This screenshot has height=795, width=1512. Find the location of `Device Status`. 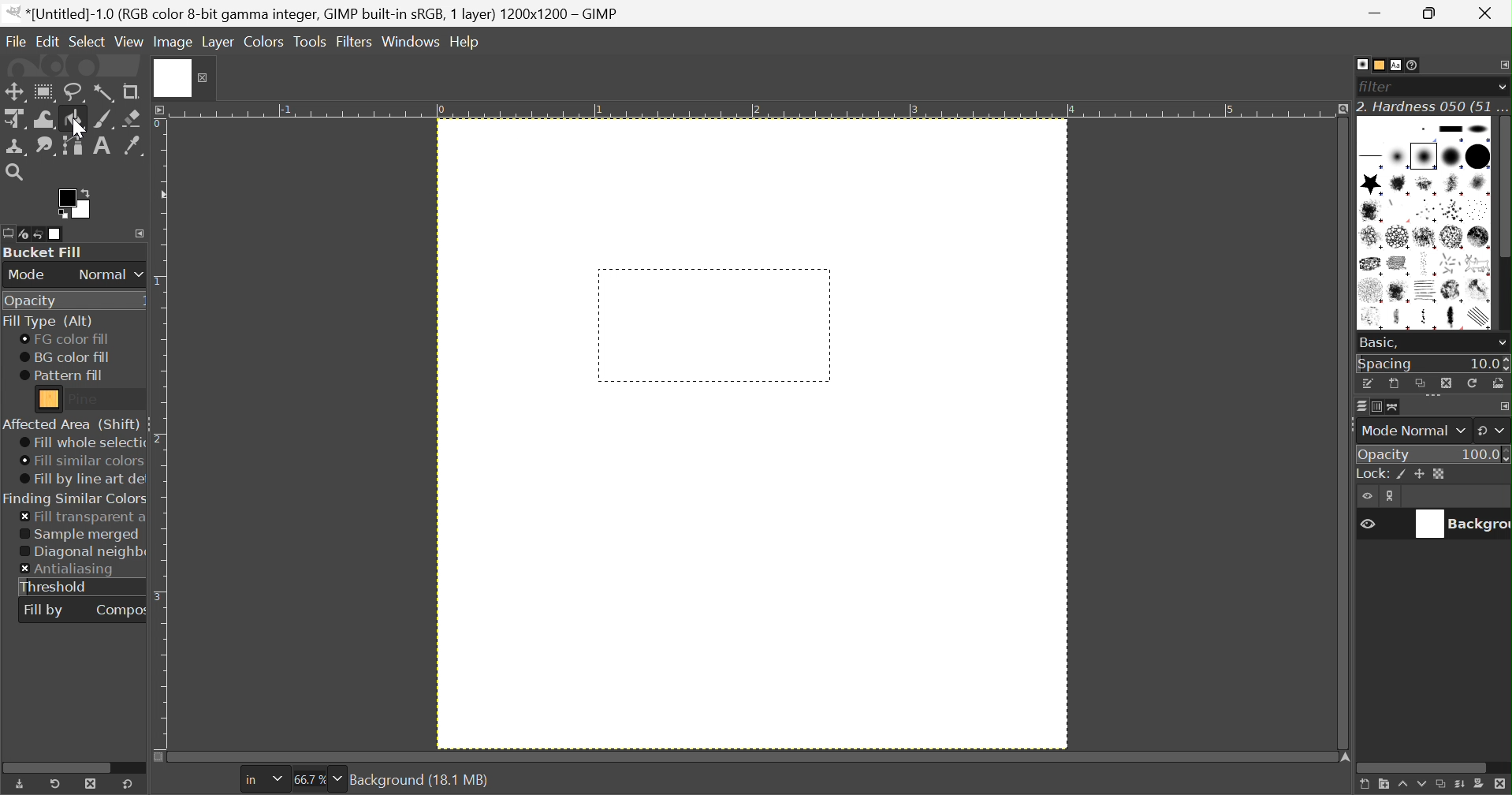

Device Status is located at coordinates (24, 235).